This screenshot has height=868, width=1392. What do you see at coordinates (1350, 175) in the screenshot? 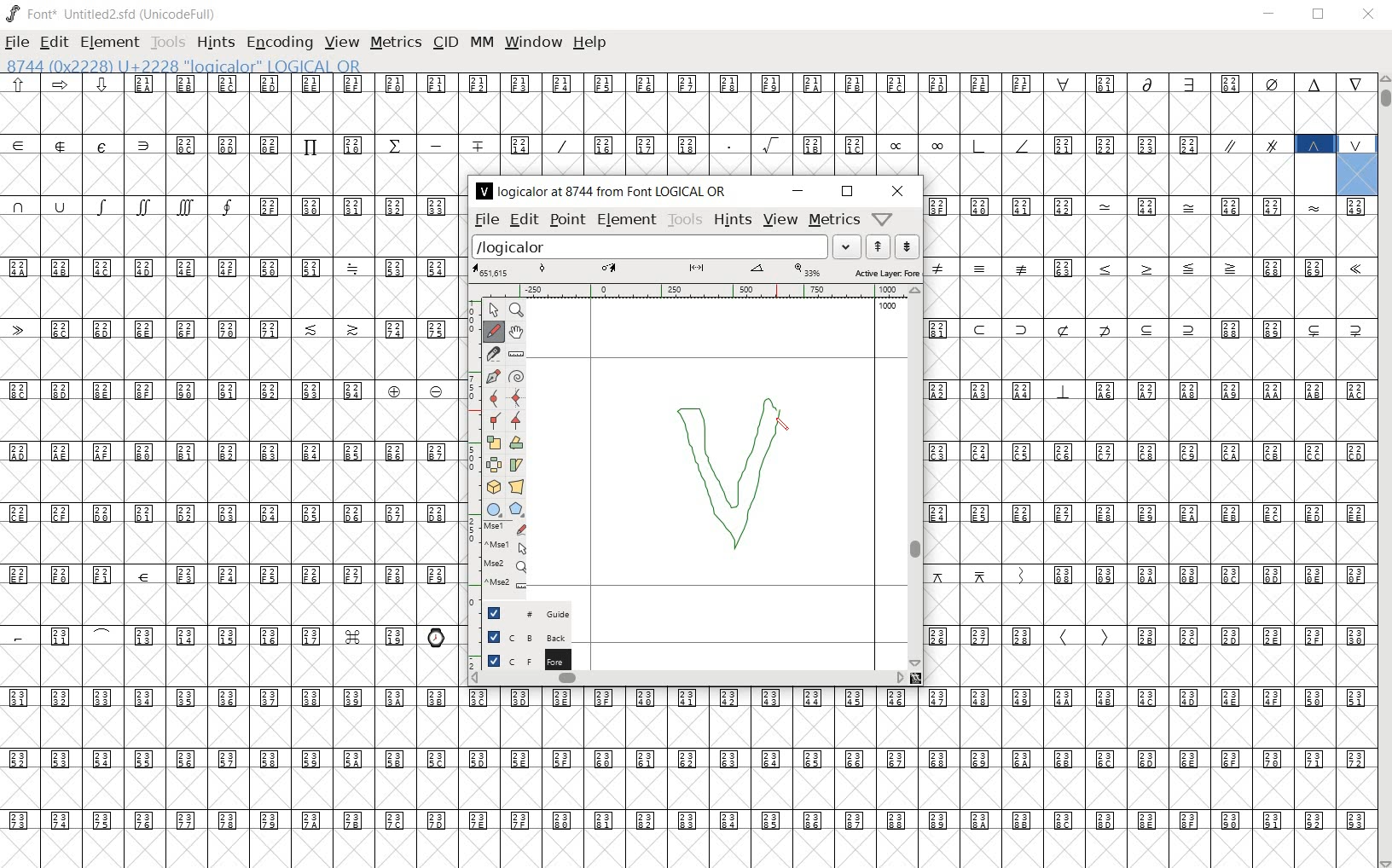
I see `8744 (0x2228) U+2228 "logicalor" LOGICAL OR` at bounding box center [1350, 175].